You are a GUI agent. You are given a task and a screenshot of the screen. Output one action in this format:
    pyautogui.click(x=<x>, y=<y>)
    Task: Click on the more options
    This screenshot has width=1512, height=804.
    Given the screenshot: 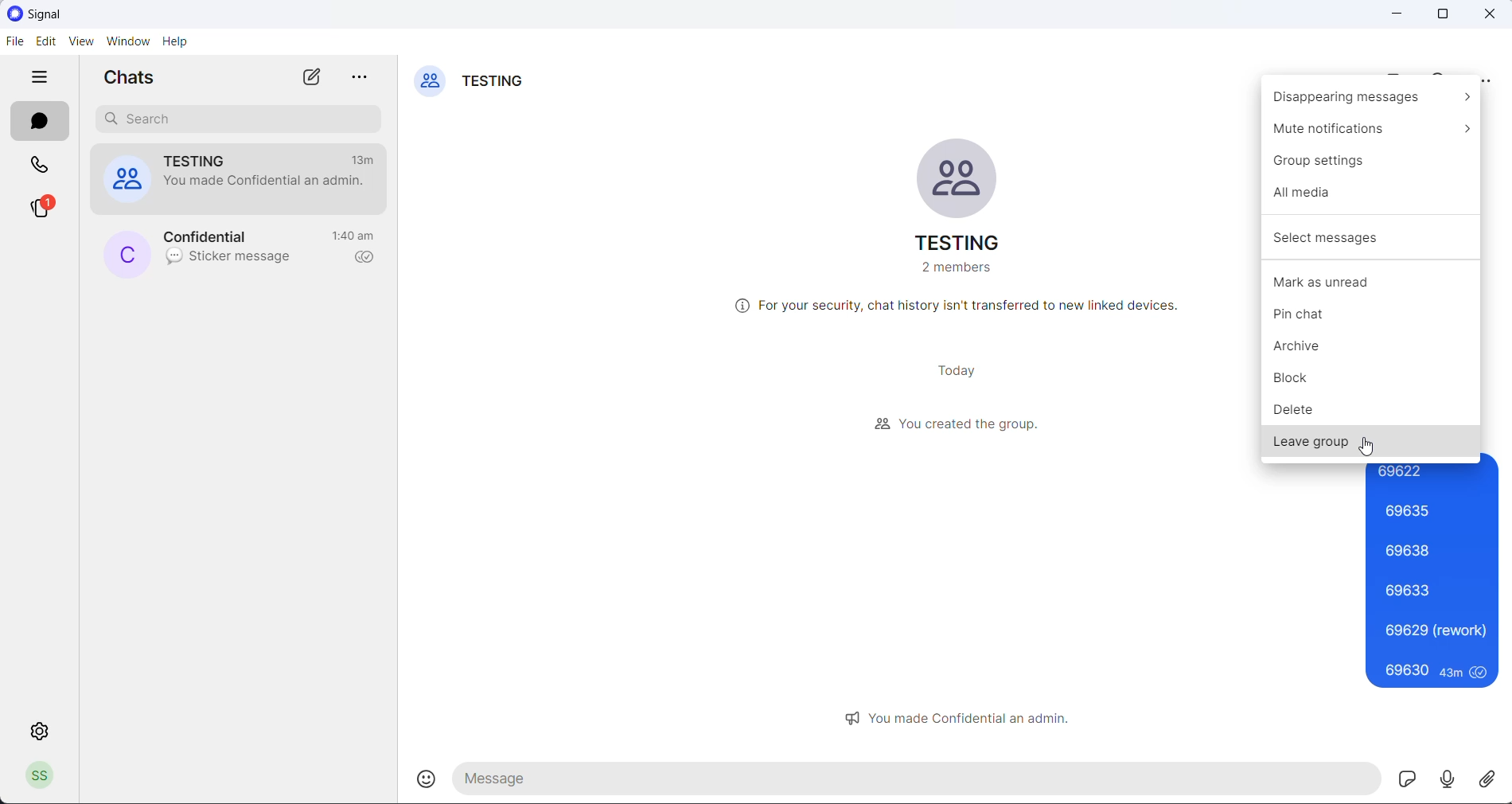 What is the action you would take?
    pyautogui.click(x=364, y=80)
    